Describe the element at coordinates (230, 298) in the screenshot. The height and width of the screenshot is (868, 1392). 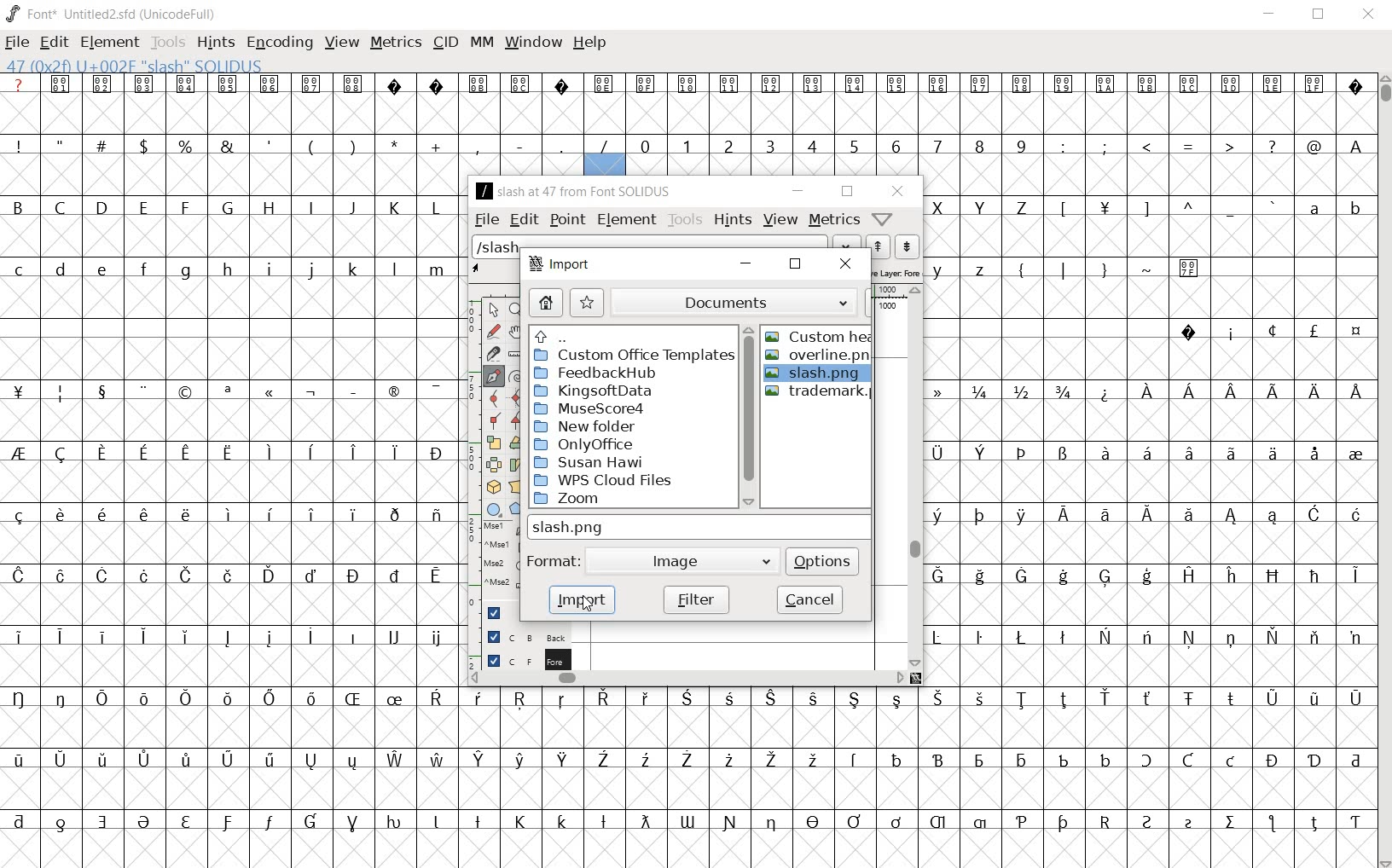
I see `empty cells` at that location.